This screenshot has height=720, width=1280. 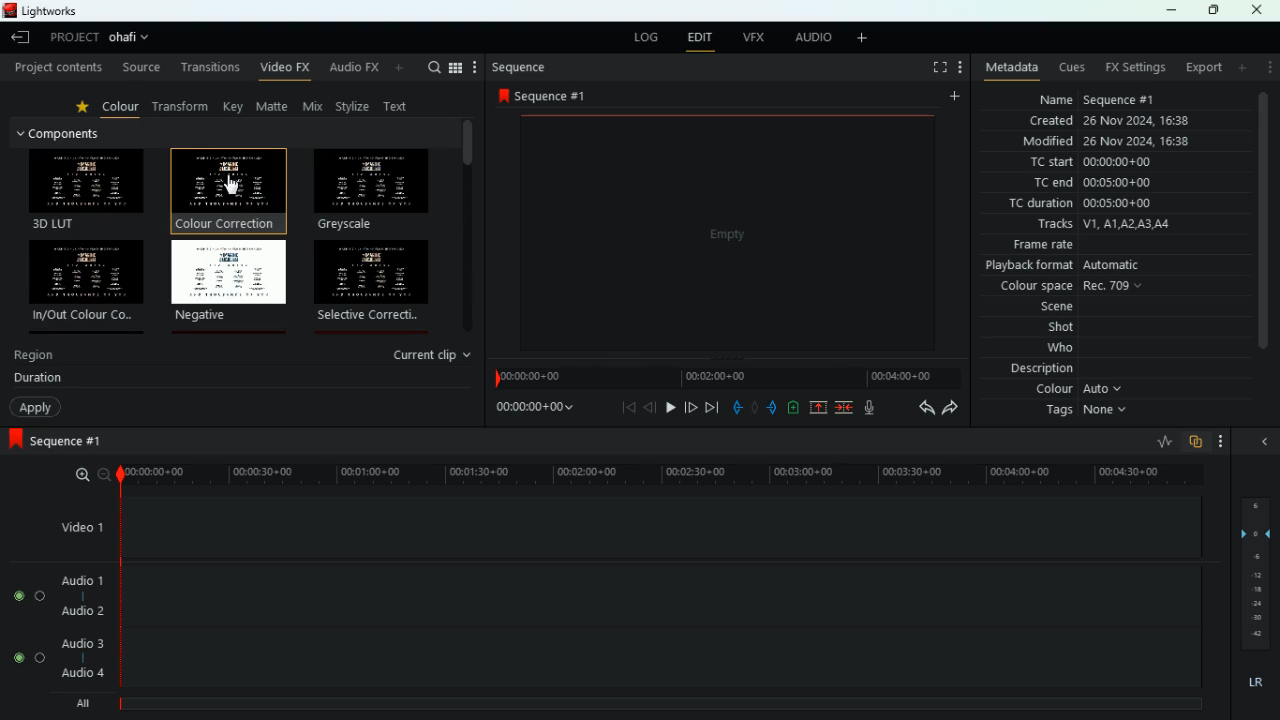 What do you see at coordinates (646, 36) in the screenshot?
I see `log` at bounding box center [646, 36].